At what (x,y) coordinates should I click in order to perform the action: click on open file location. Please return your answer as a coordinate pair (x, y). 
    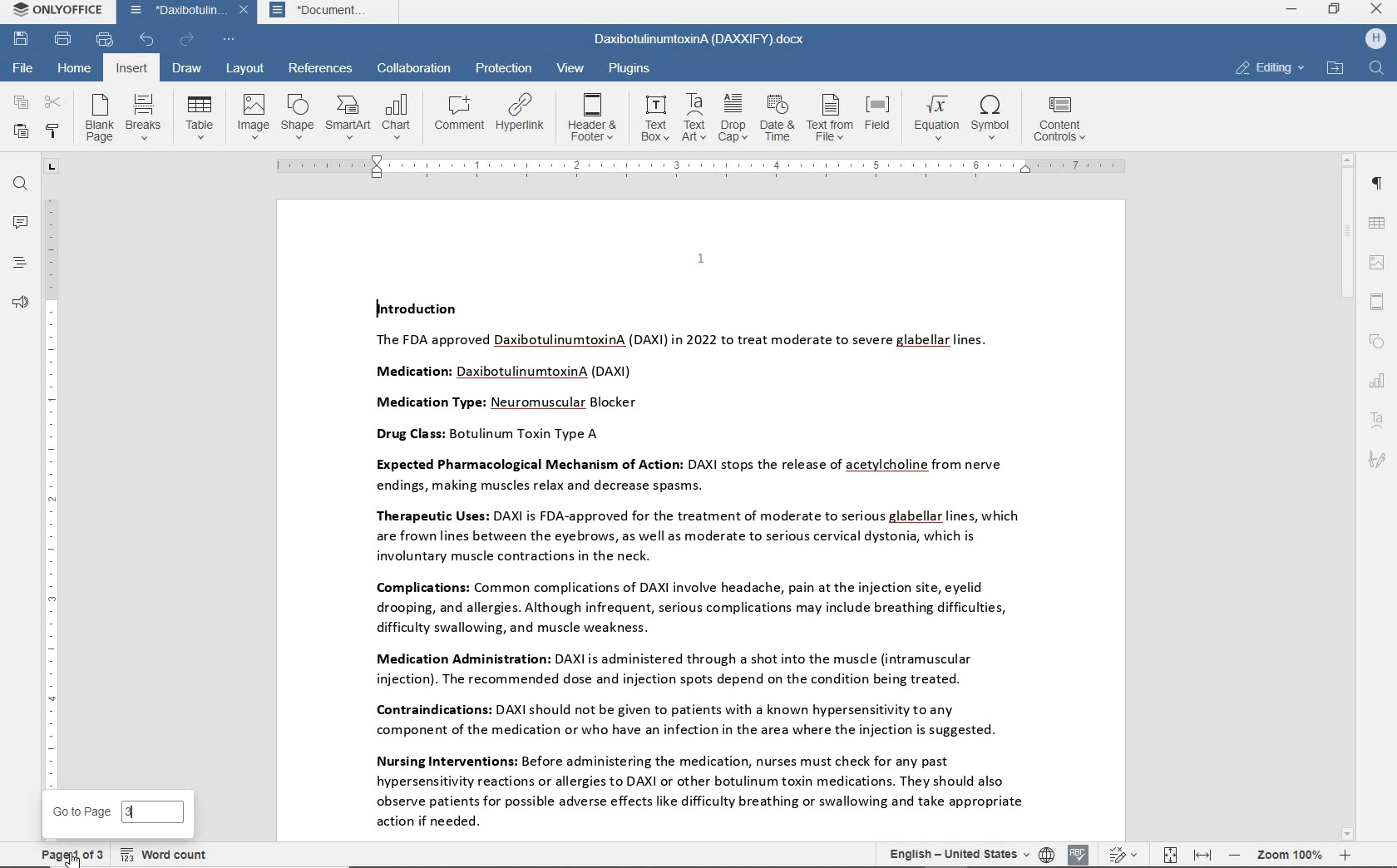
    Looking at the image, I should click on (1335, 69).